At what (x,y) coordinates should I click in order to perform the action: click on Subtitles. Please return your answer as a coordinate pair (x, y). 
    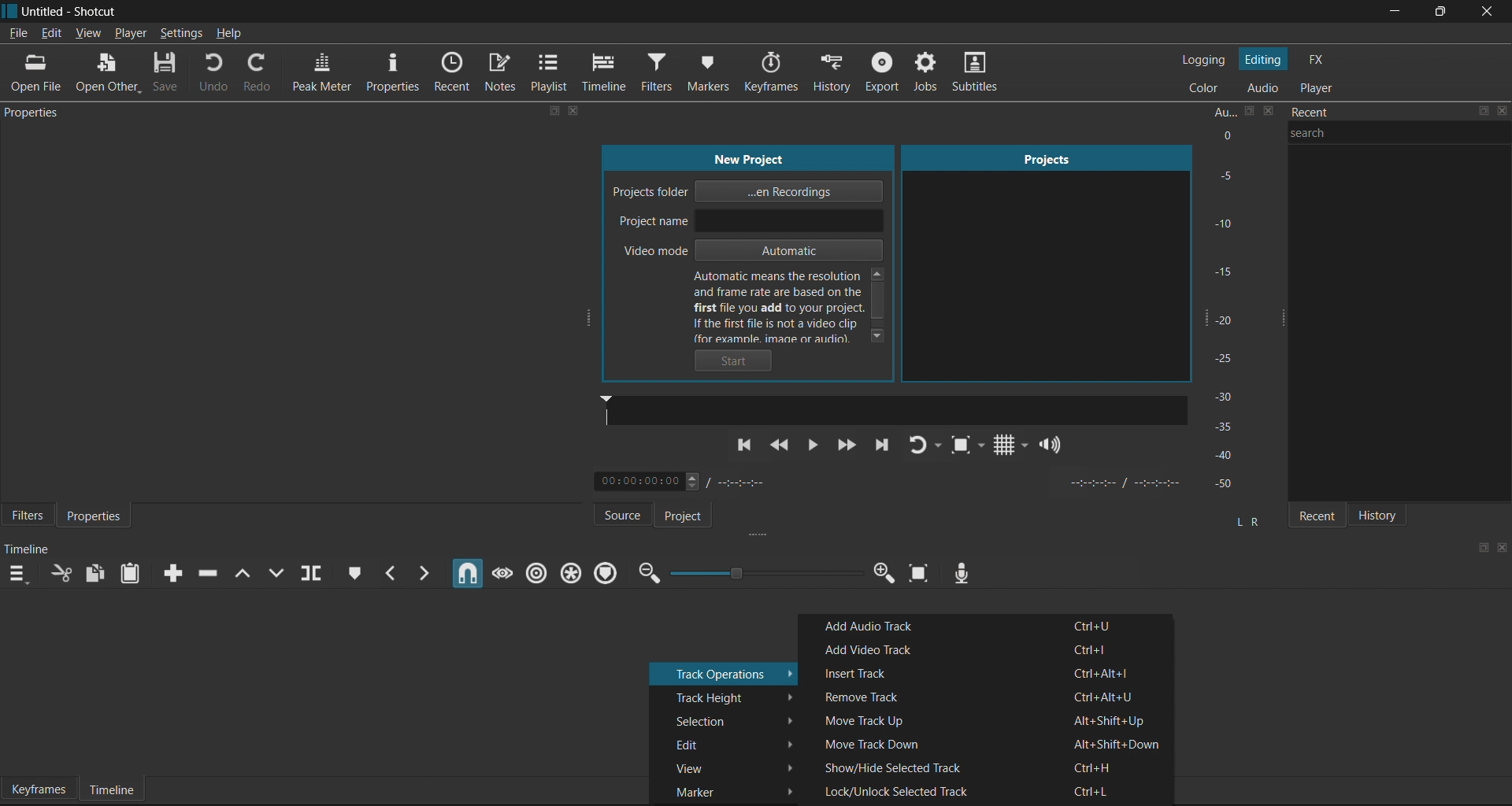
    Looking at the image, I should click on (984, 76).